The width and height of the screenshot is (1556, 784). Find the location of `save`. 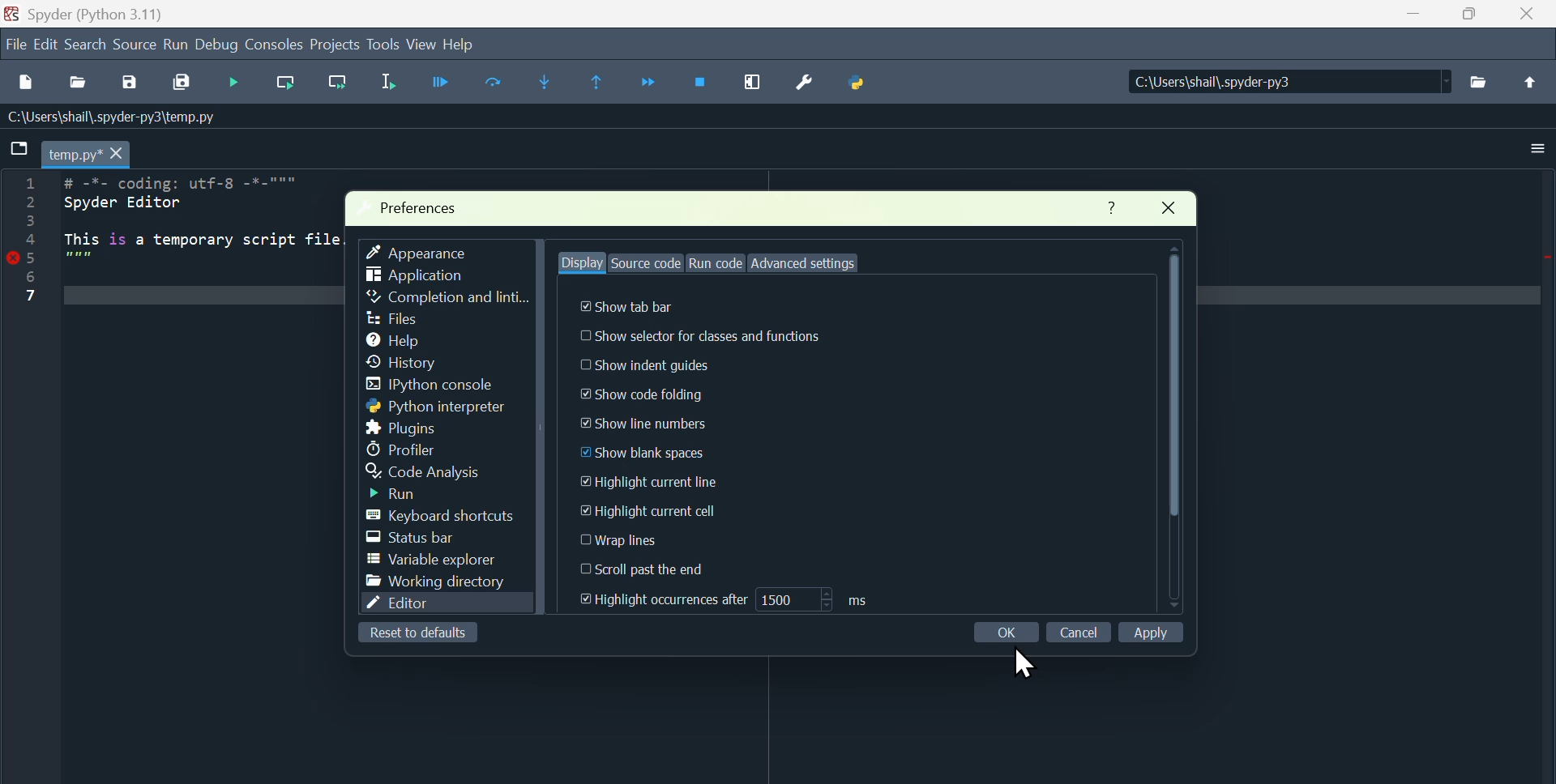

save is located at coordinates (132, 86).